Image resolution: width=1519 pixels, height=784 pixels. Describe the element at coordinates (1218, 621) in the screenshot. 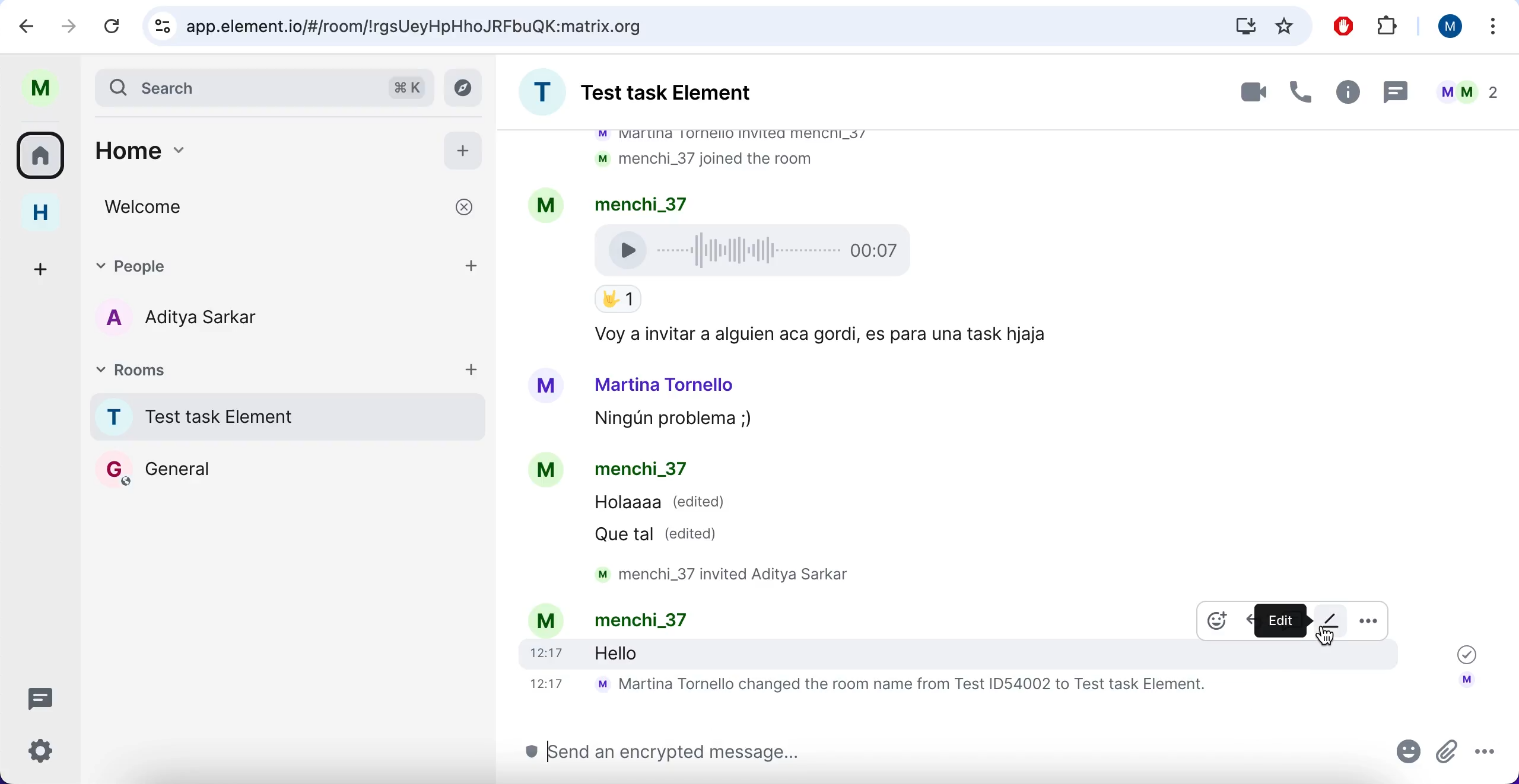

I see `emoji` at that location.